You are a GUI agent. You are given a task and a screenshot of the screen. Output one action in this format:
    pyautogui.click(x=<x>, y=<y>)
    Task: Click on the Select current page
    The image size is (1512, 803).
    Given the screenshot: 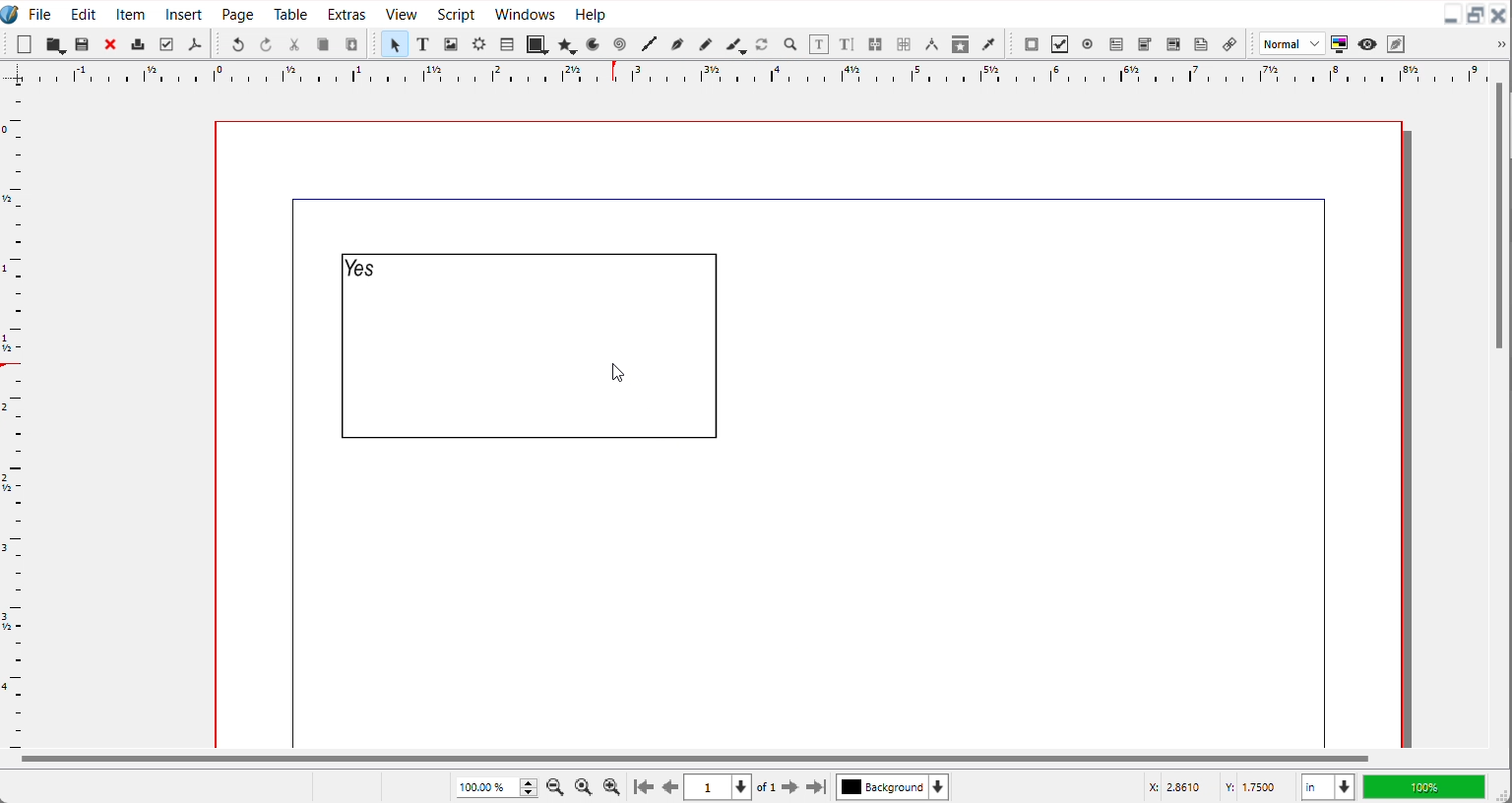 What is the action you would take?
    pyautogui.click(x=718, y=787)
    